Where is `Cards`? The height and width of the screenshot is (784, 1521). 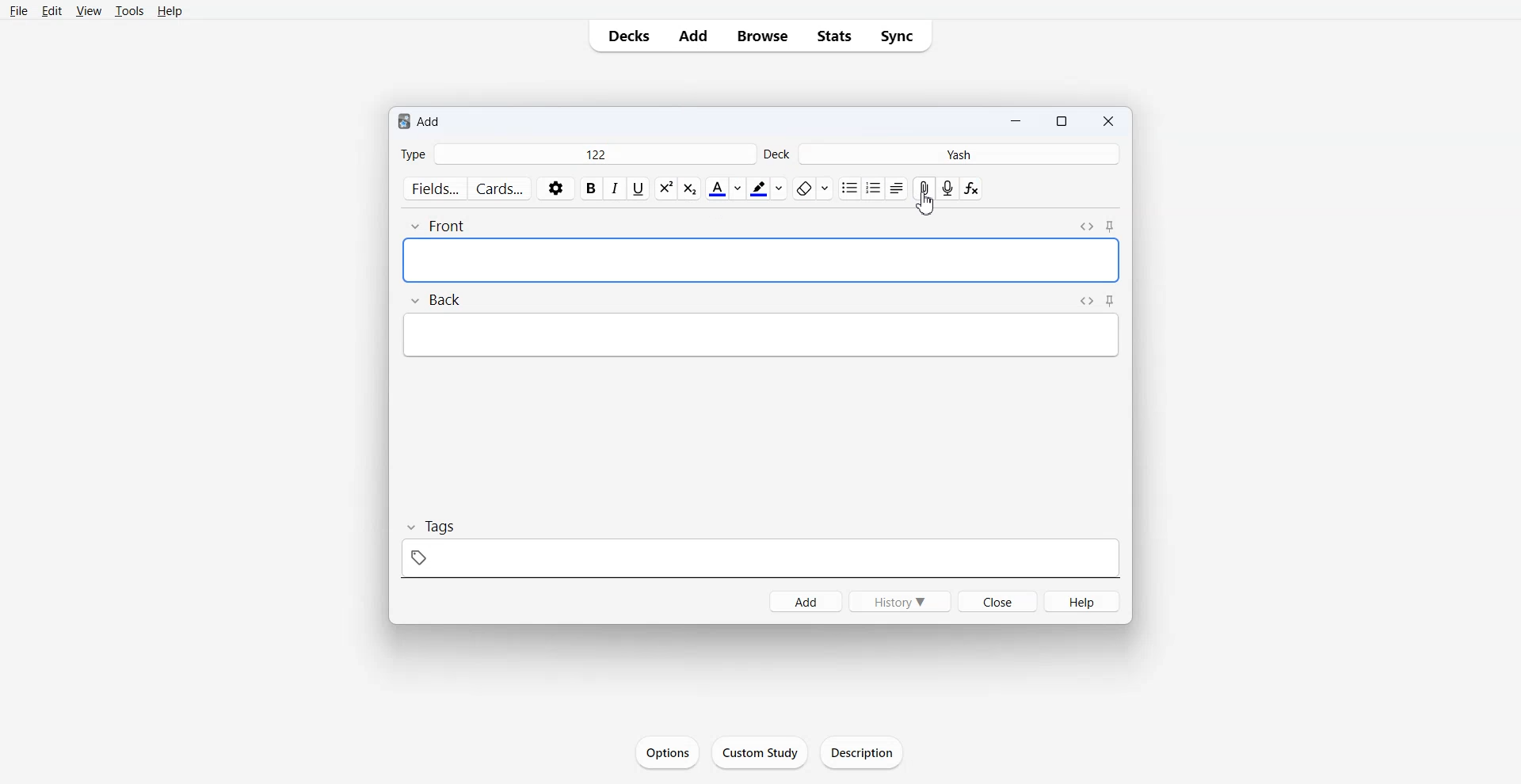 Cards is located at coordinates (501, 188).